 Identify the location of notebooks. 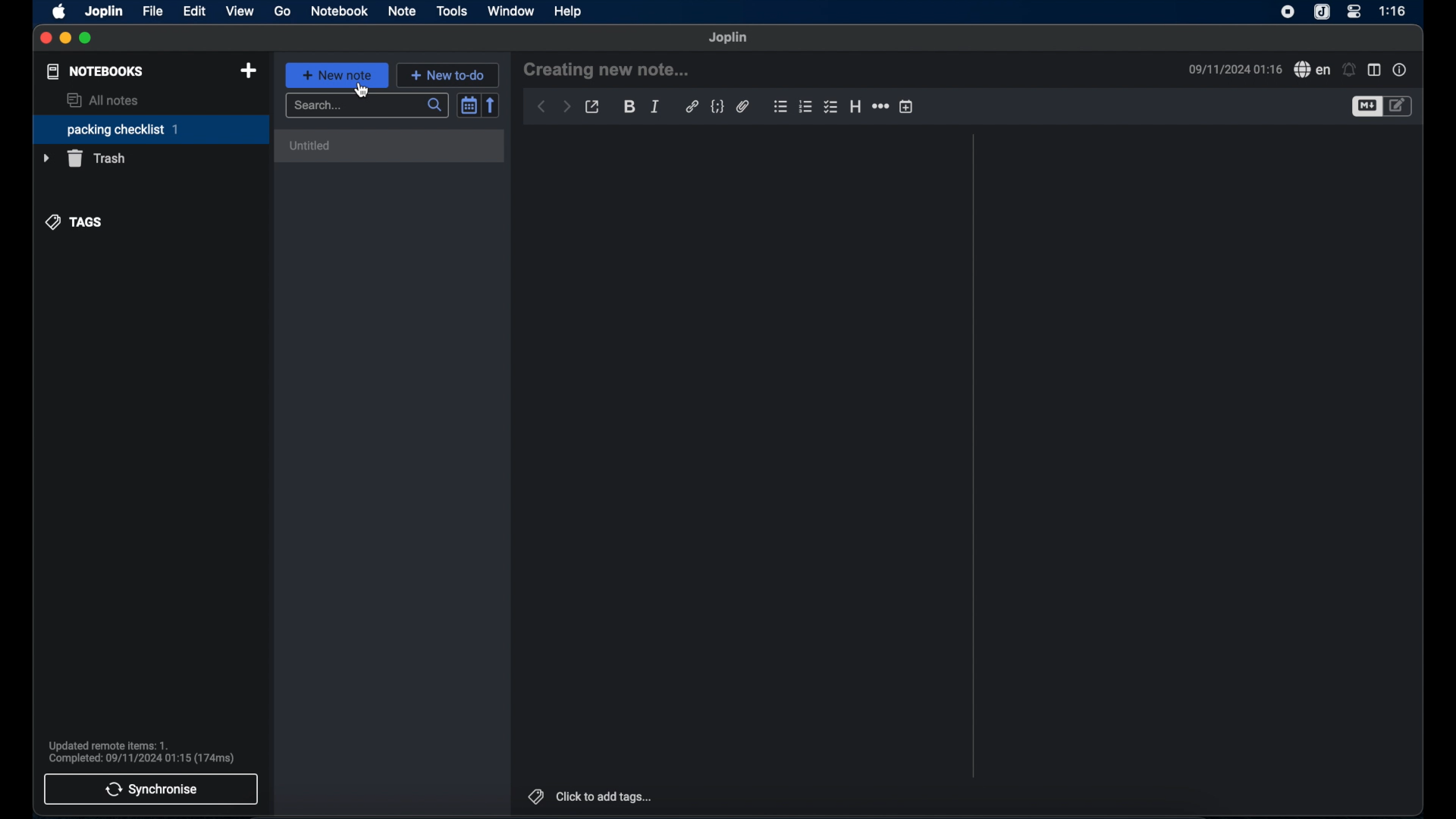
(95, 71).